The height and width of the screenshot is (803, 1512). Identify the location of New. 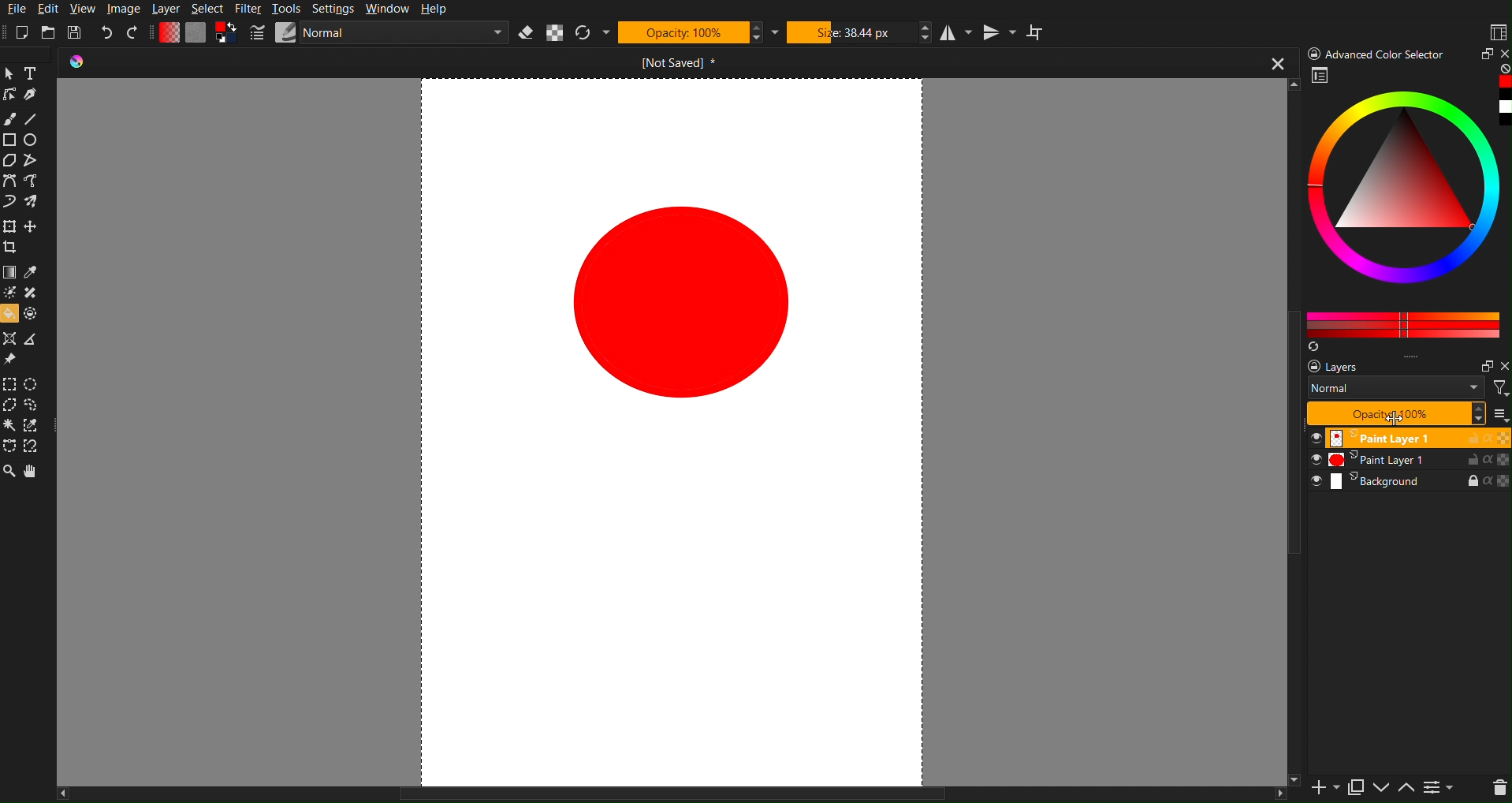
(17, 34).